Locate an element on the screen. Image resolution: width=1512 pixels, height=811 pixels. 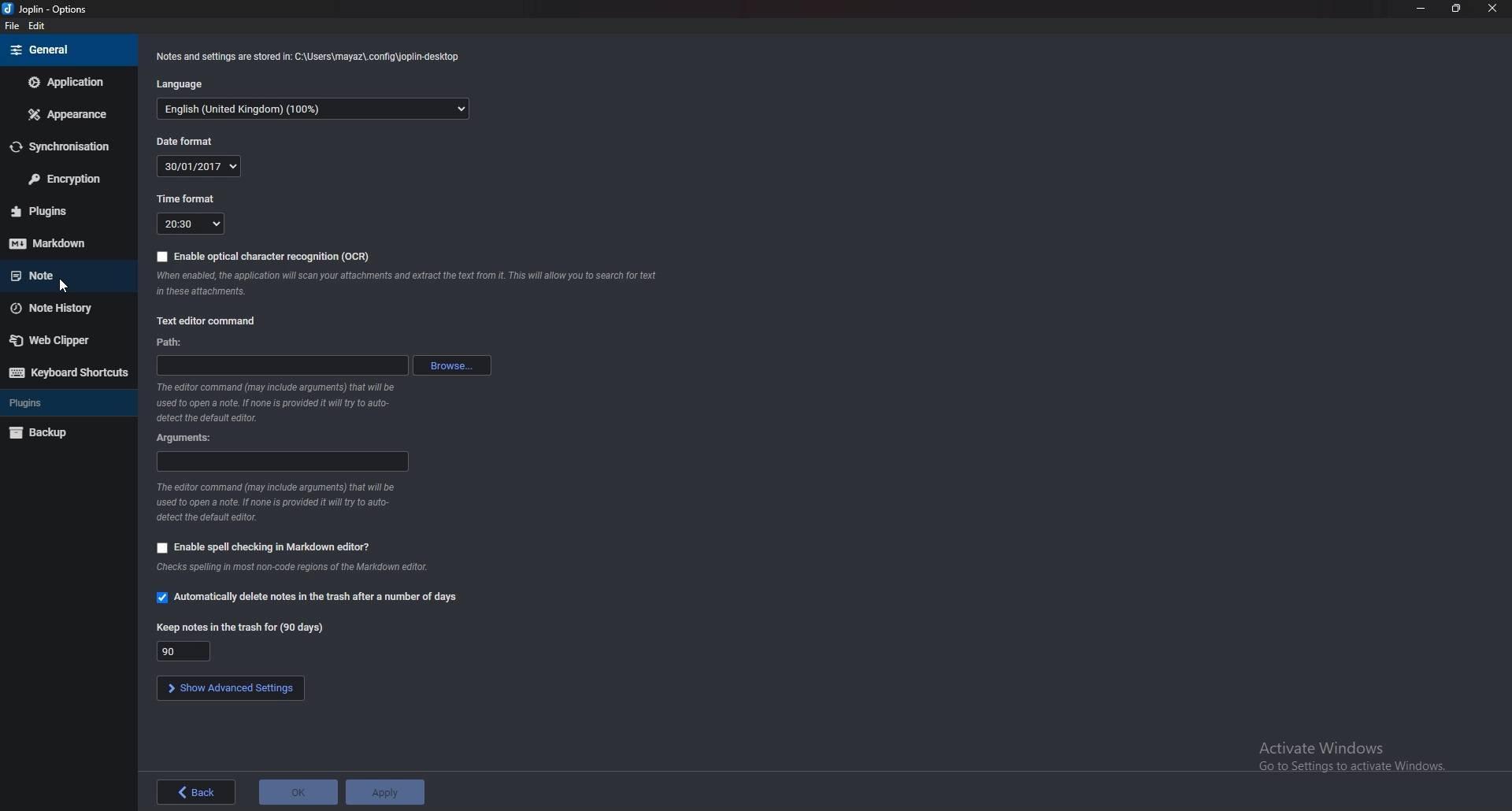
Activate windows pop up is located at coordinates (1354, 758).